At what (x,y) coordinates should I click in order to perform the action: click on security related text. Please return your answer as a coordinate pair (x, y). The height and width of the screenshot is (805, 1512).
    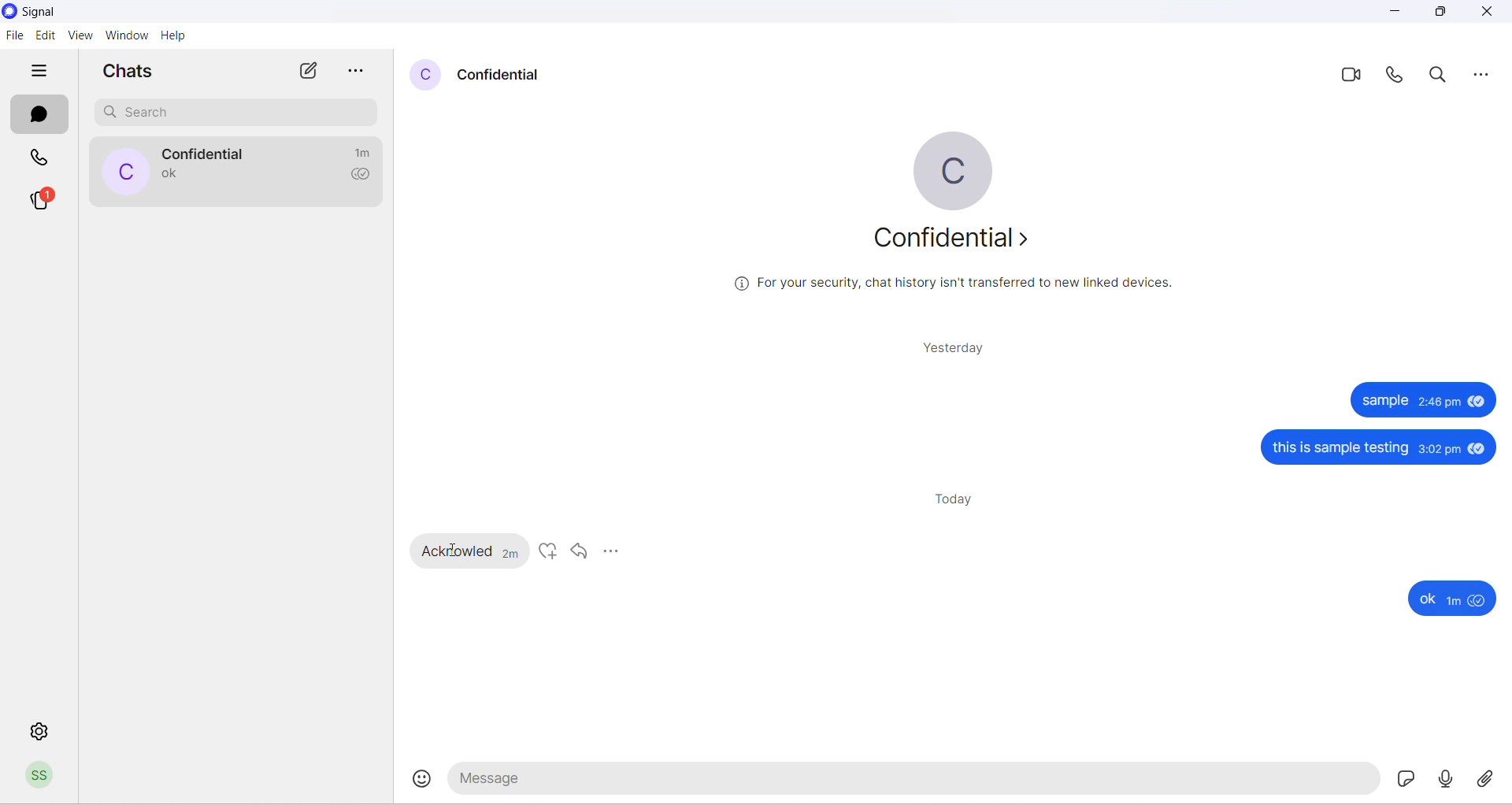
    Looking at the image, I should click on (954, 284).